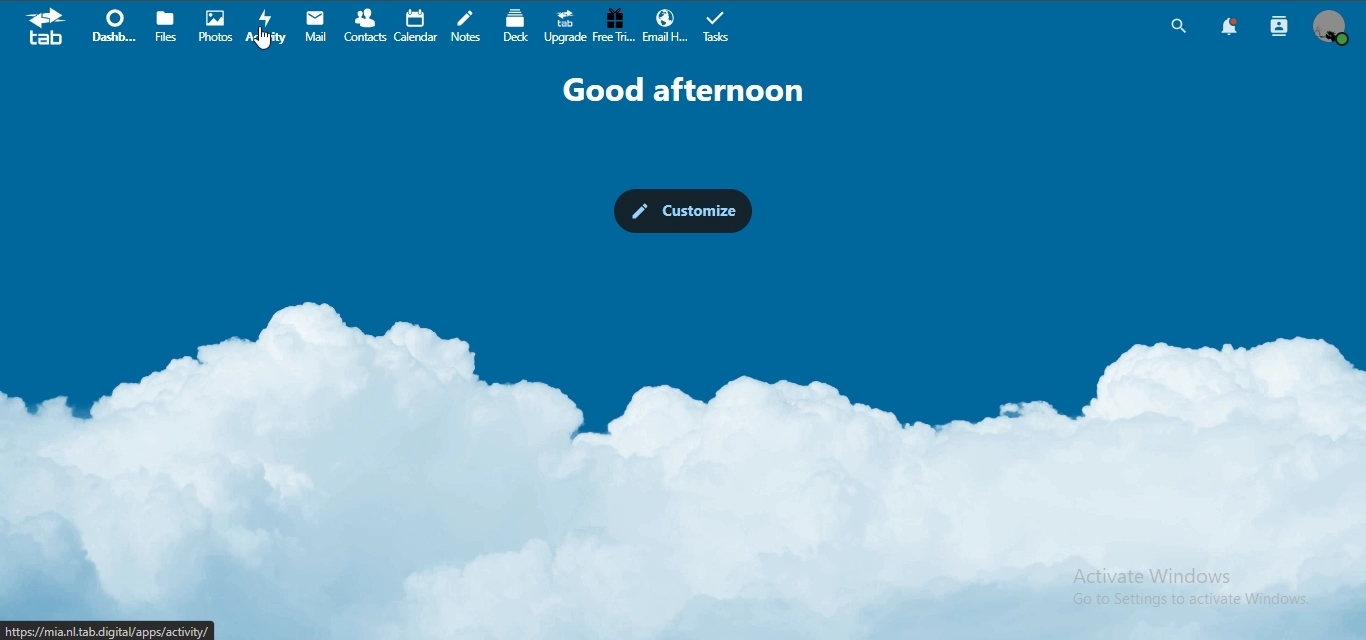 This screenshot has width=1366, height=640. What do you see at coordinates (720, 27) in the screenshot?
I see `tasks` at bounding box center [720, 27].